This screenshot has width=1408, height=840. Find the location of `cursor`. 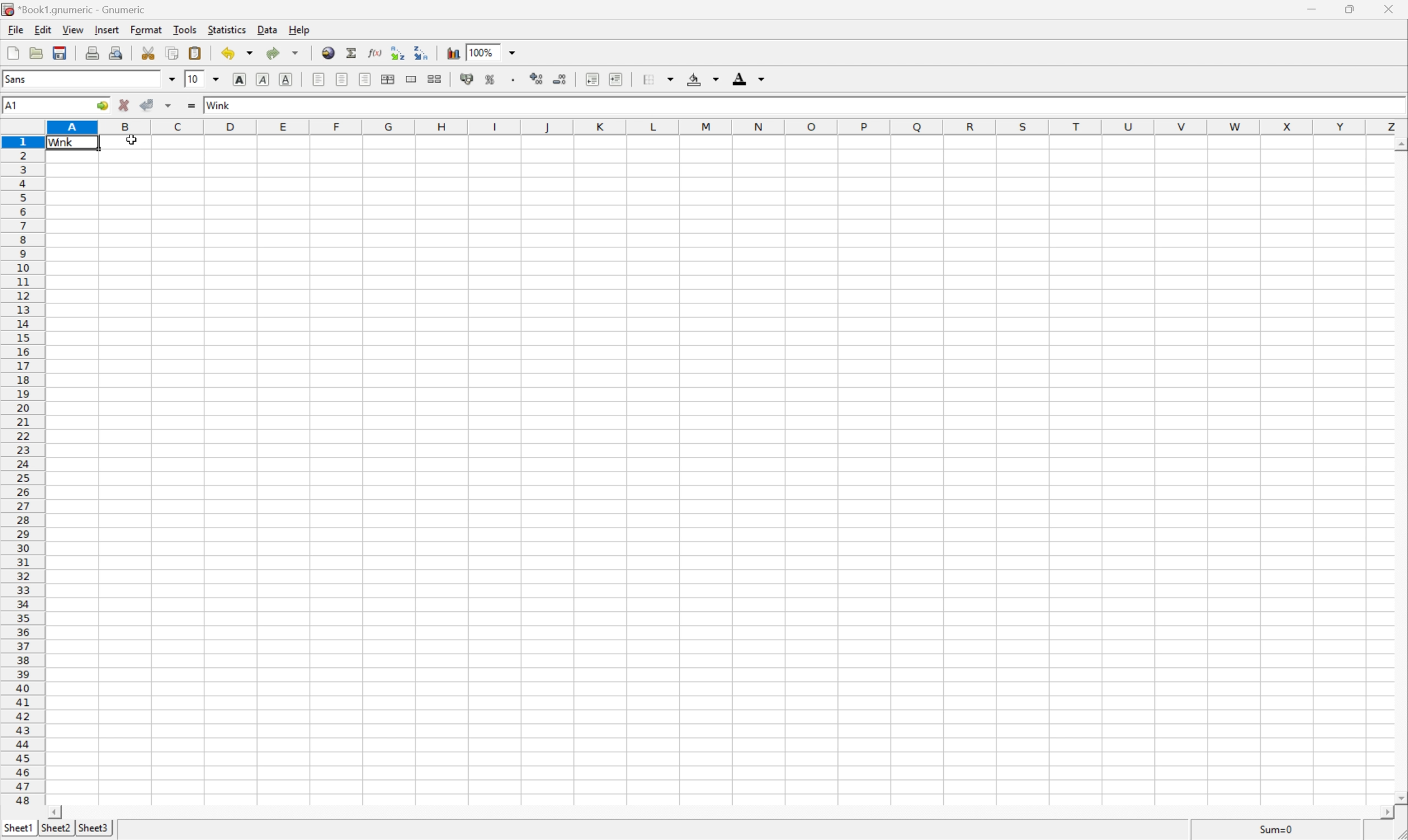

cursor is located at coordinates (136, 140).